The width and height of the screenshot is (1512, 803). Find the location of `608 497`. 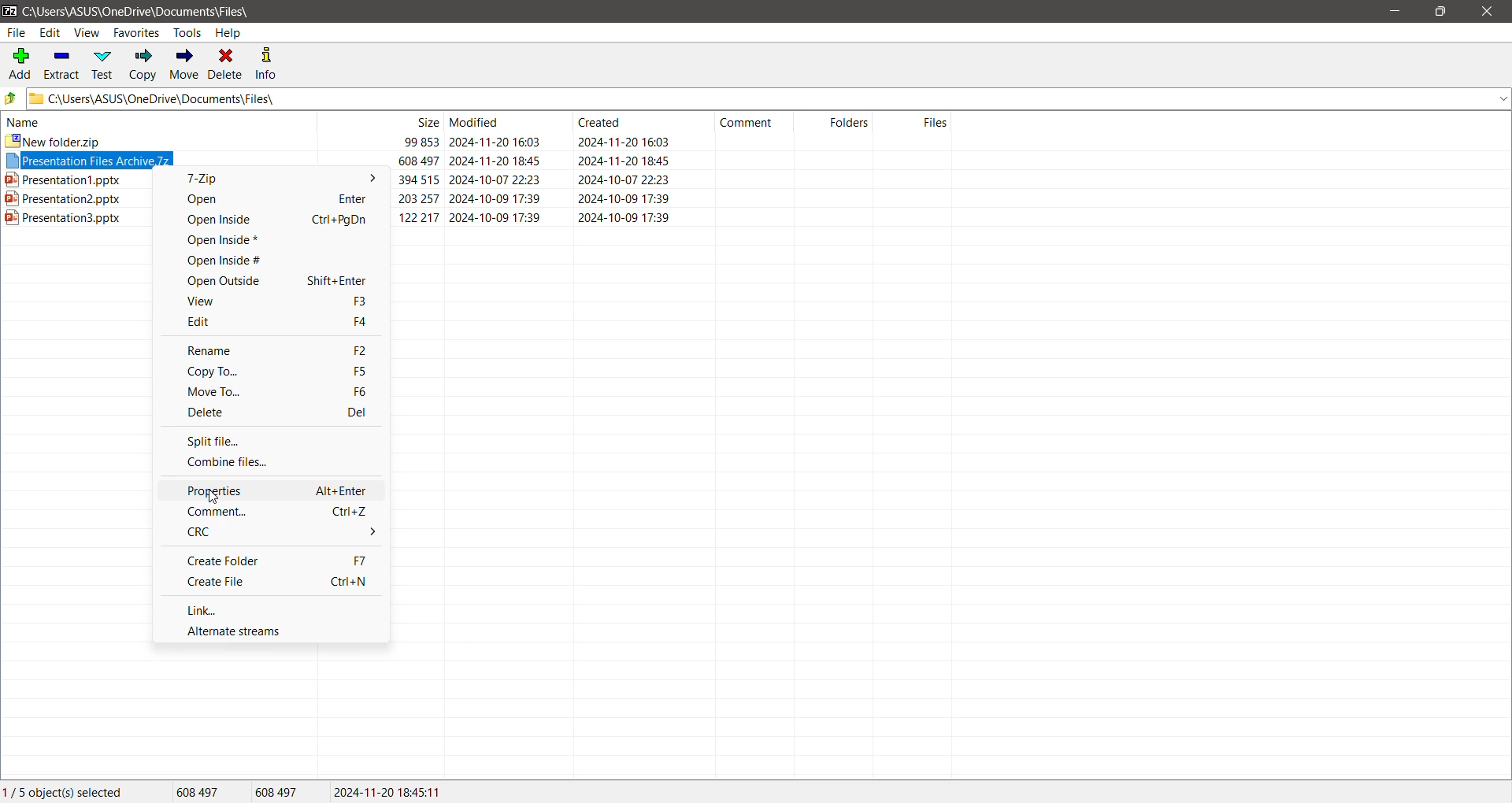

608 497 is located at coordinates (195, 790).